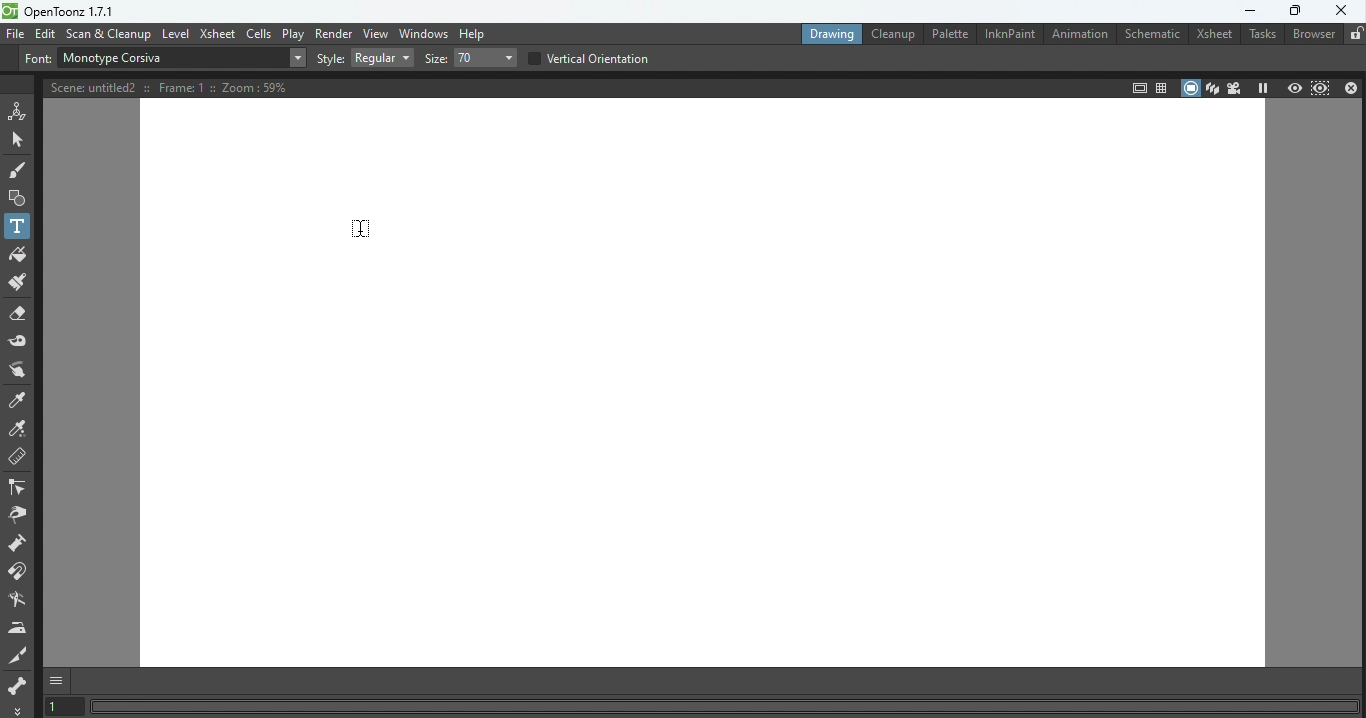 This screenshot has height=718, width=1366. What do you see at coordinates (64, 706) in the screenshot?
I see `Set the current frame` at bounding box center [64, 706].